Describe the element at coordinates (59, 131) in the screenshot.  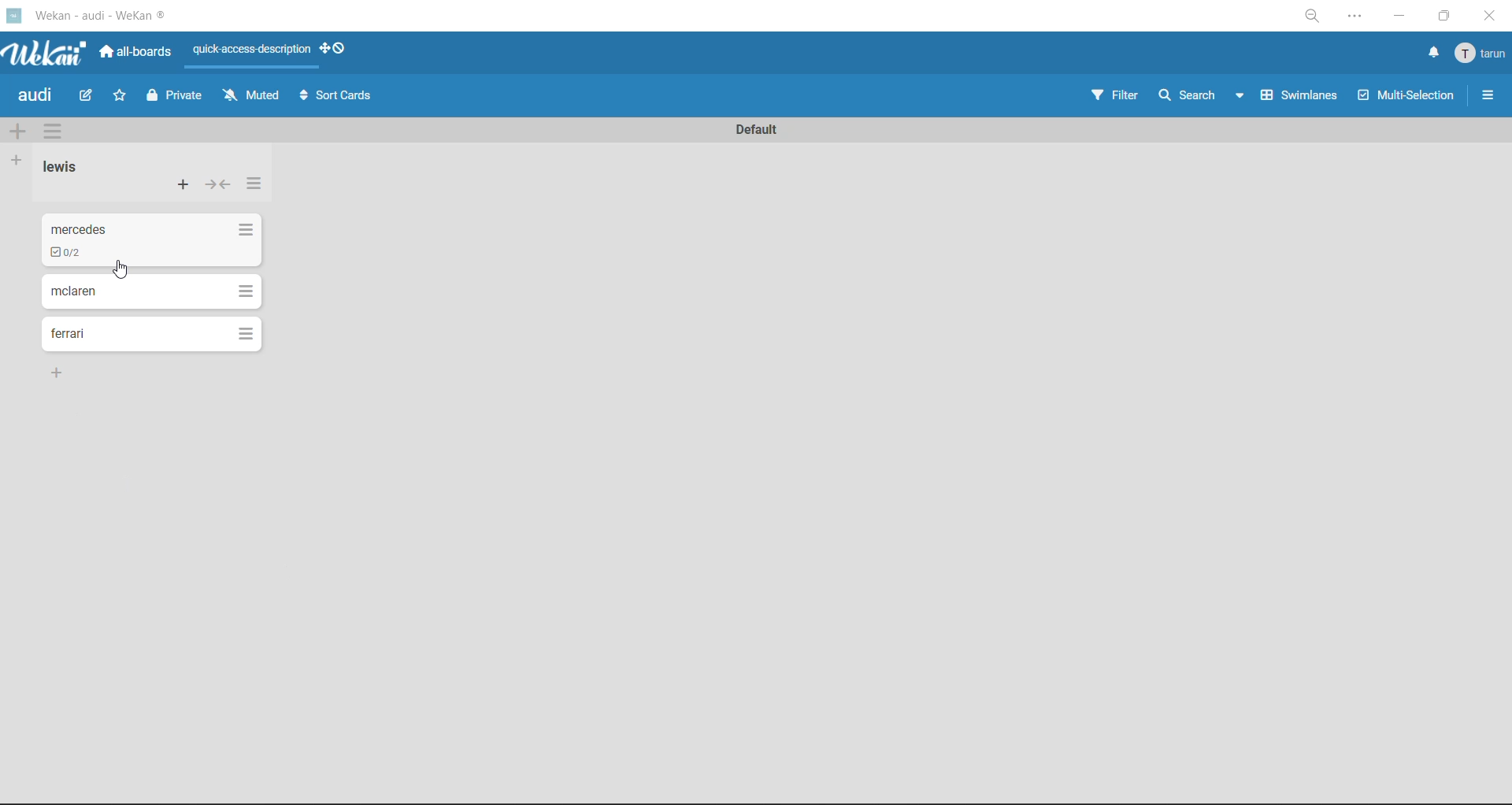
I see `swimlane actions` at that location.